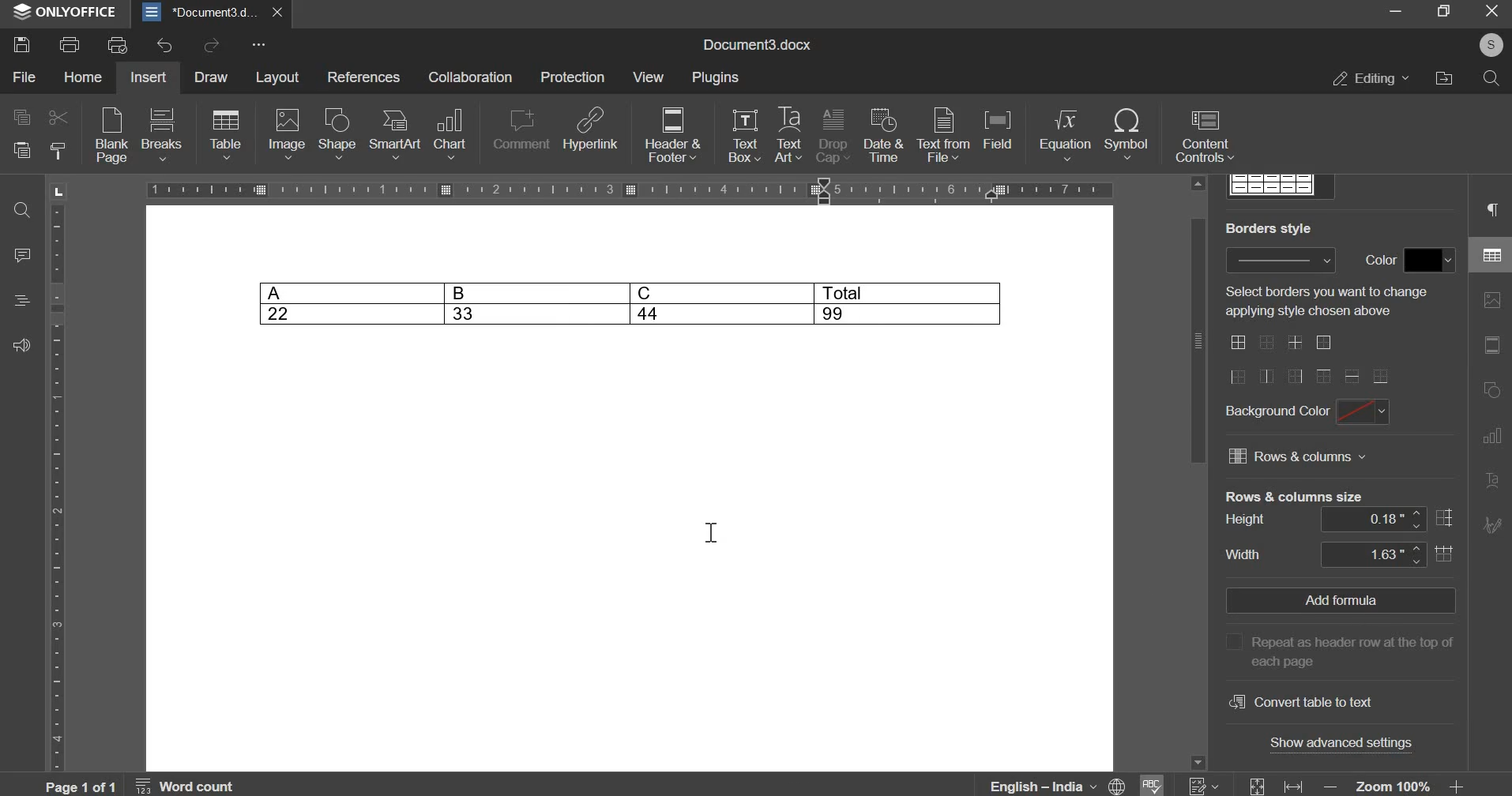  What do you see at coordinates (1293, 785) in the screenshot?
I see `fit to width` at bounding box center [1293, 785].